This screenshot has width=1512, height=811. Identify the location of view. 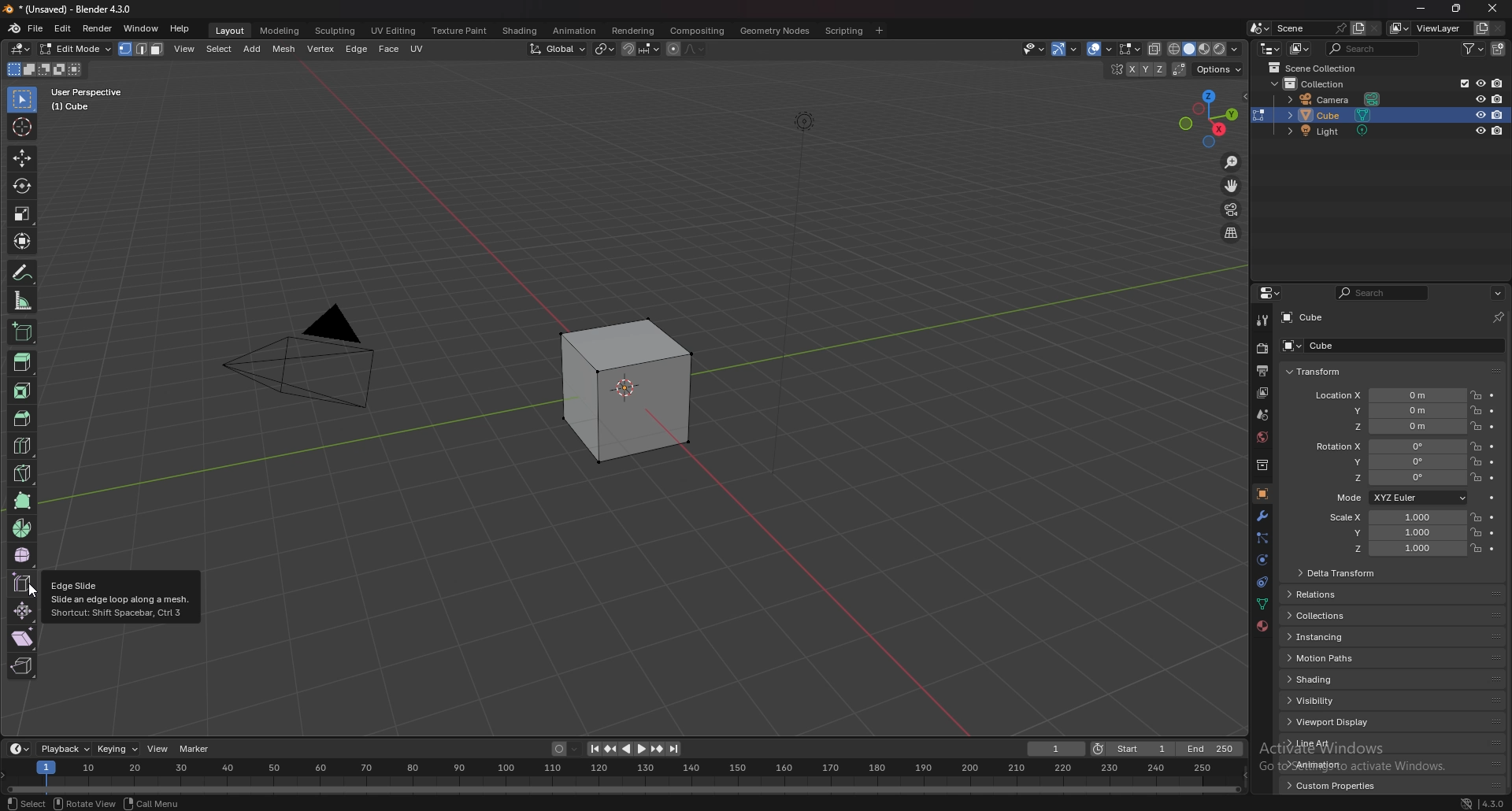
(142, 47).